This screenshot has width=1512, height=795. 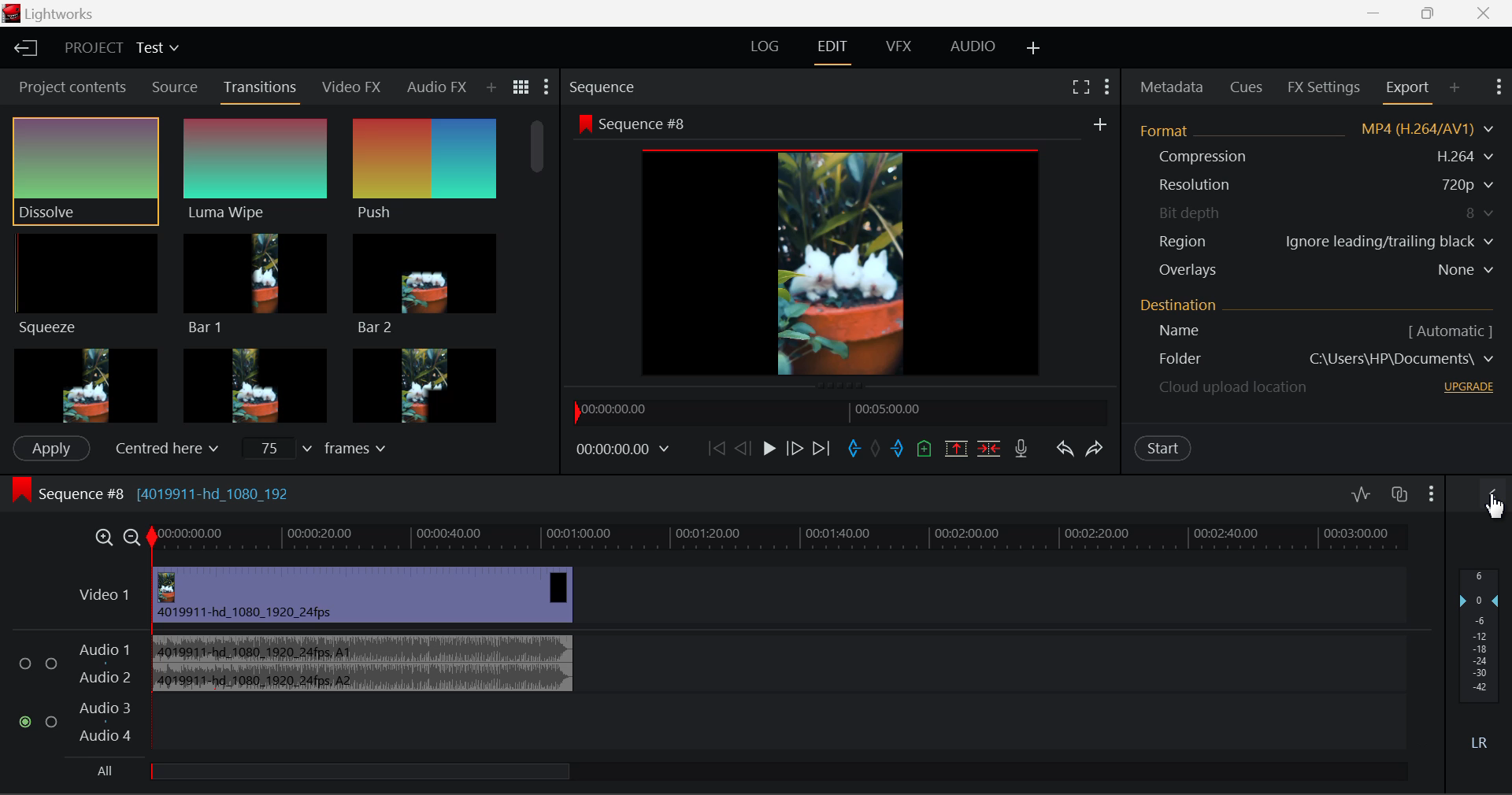 I want to click on LOG Layout, so click(x=765, y=46).